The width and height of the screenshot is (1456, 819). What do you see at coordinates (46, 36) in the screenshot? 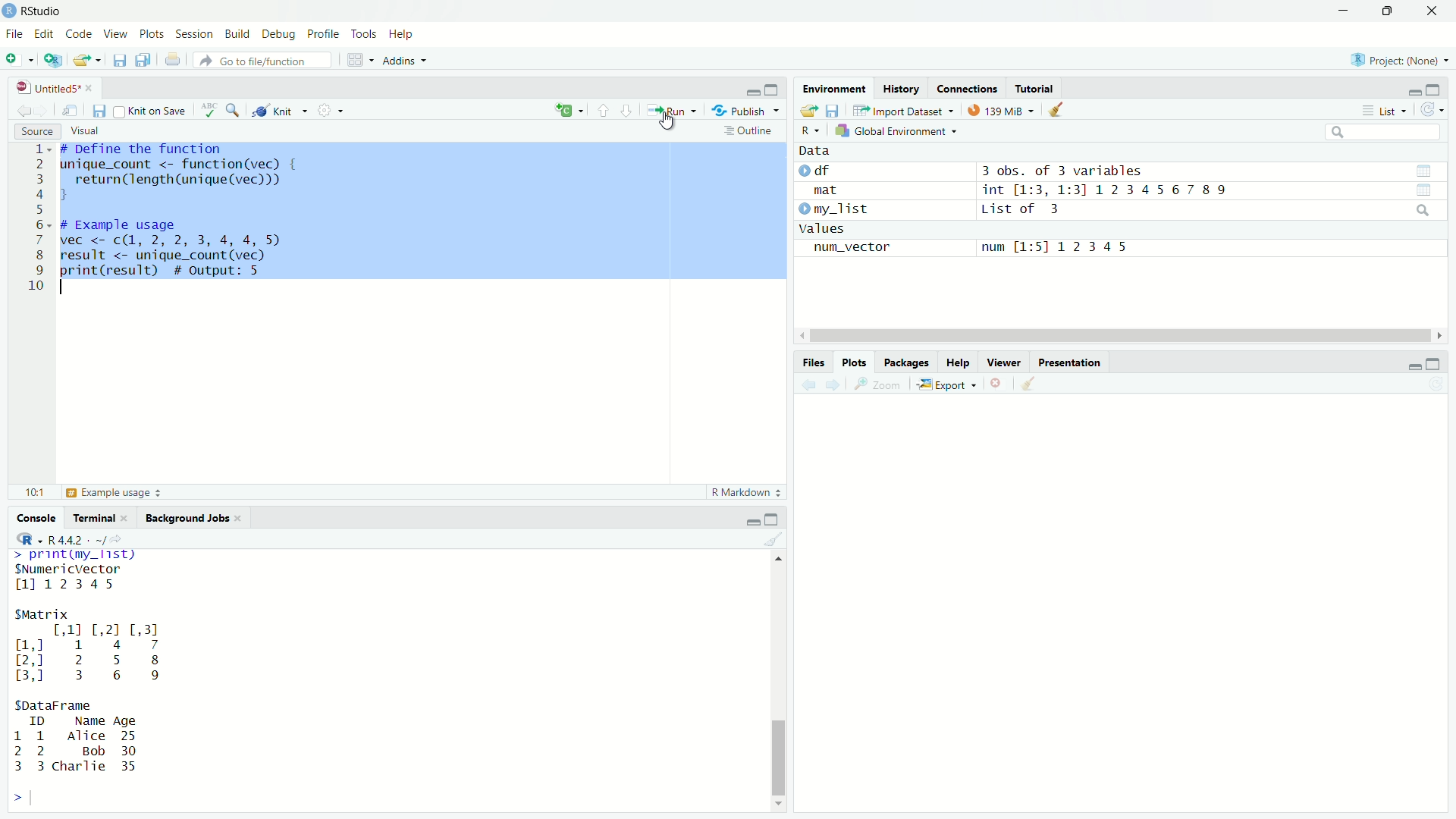
I see `Edit` at bounding box center [46, 36].